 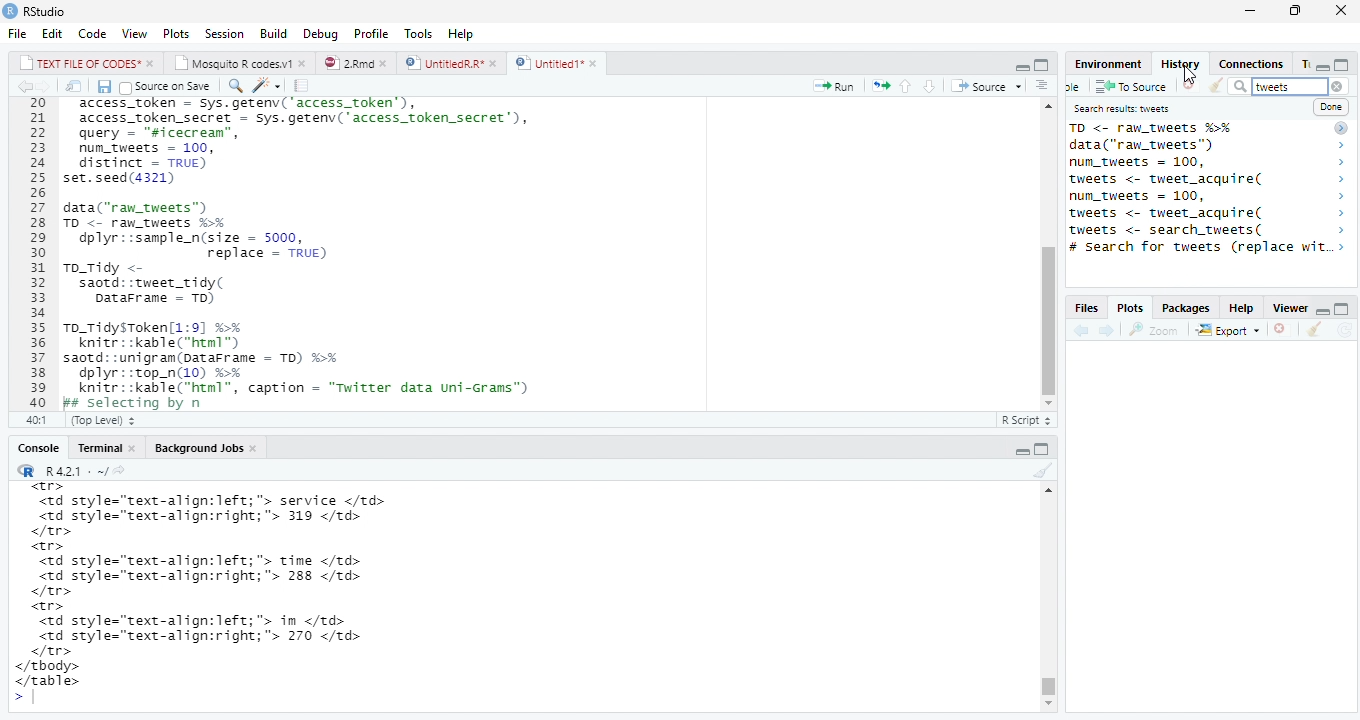 What do you see at coordinates (1177, 109) in the screenshot?
I see `Search results tweet` at bounding box center [1177, 109].